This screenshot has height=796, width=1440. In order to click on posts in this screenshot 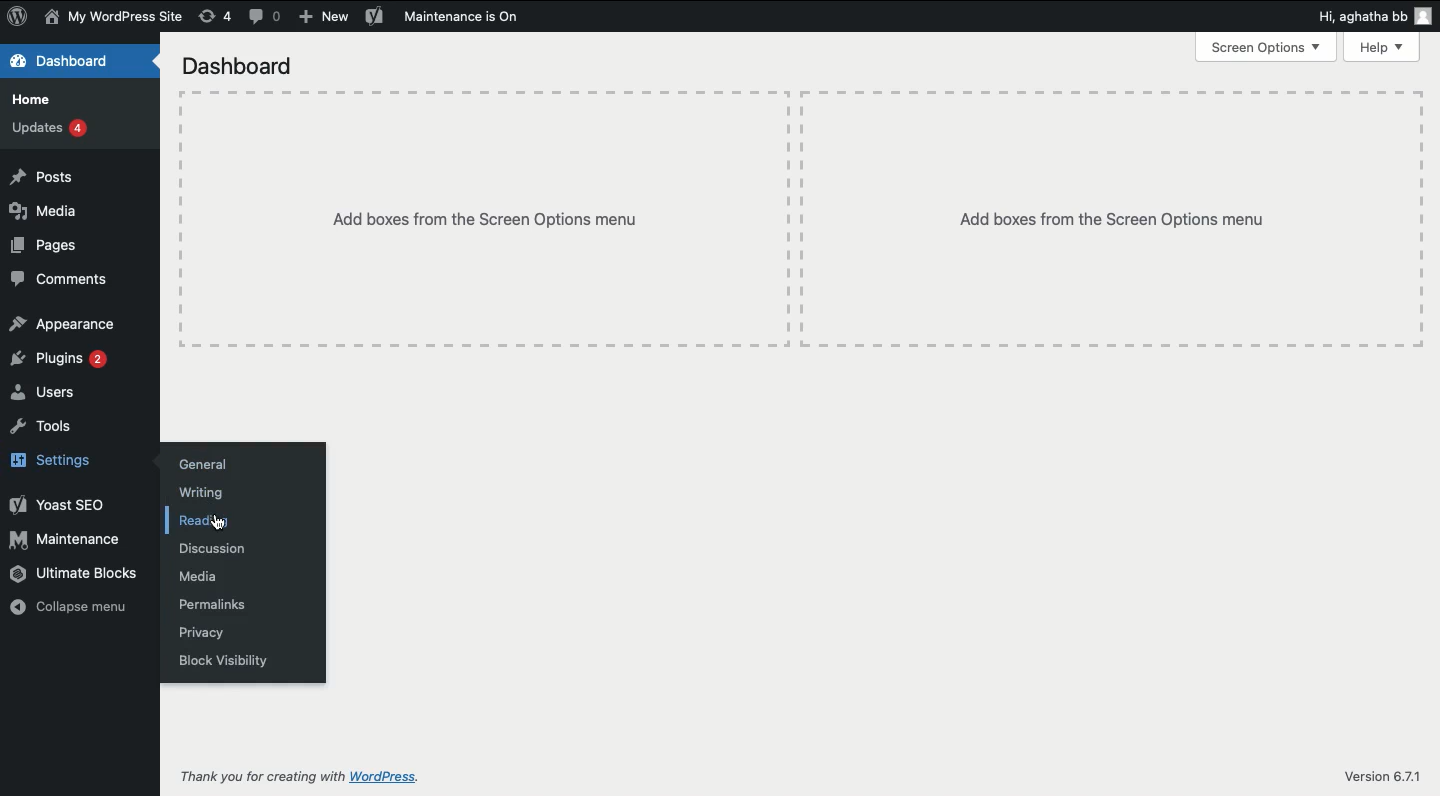, I will do `click(42, 178)`.